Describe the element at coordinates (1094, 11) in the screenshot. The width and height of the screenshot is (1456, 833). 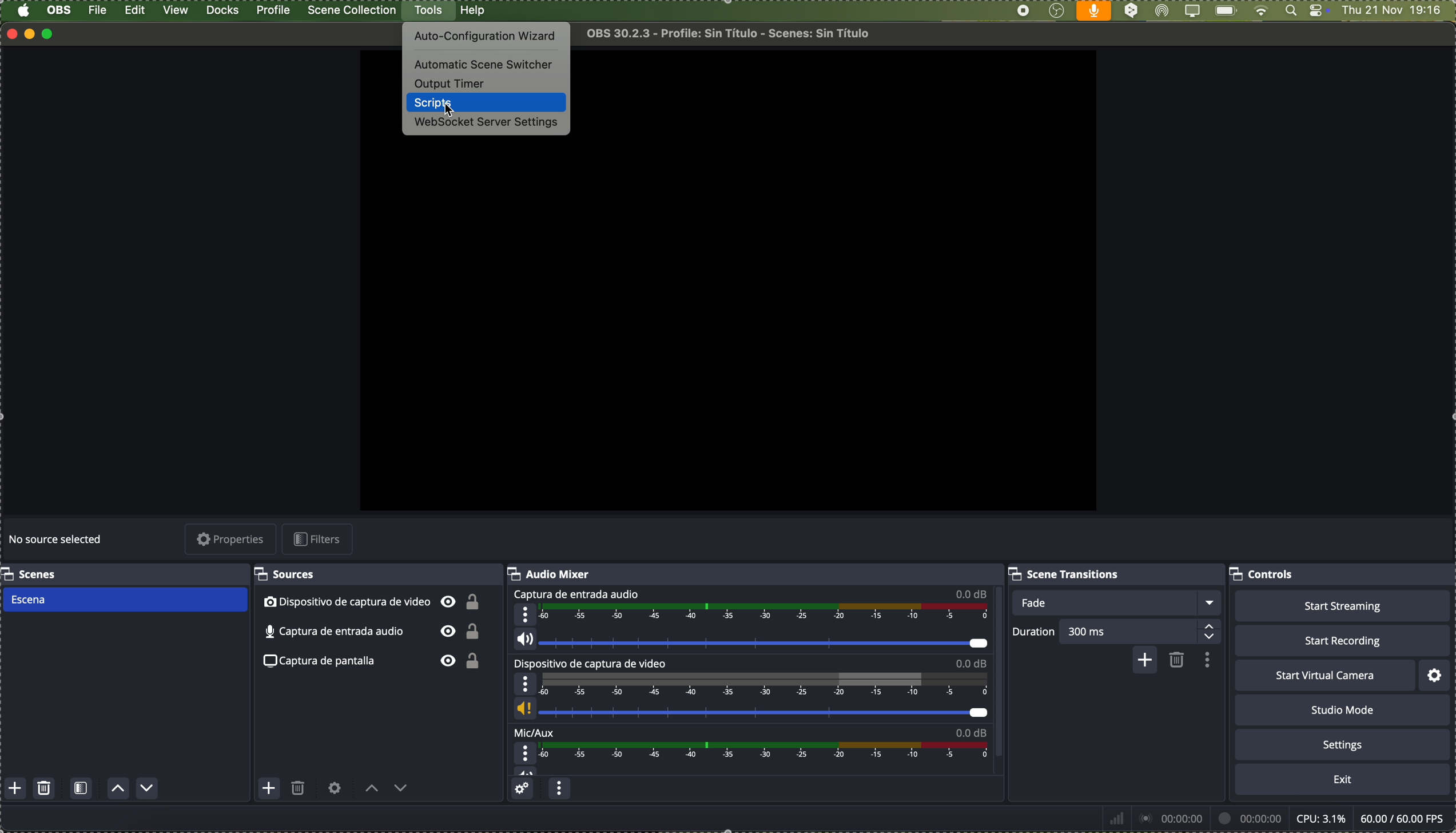
I see `voice activated` at that location.